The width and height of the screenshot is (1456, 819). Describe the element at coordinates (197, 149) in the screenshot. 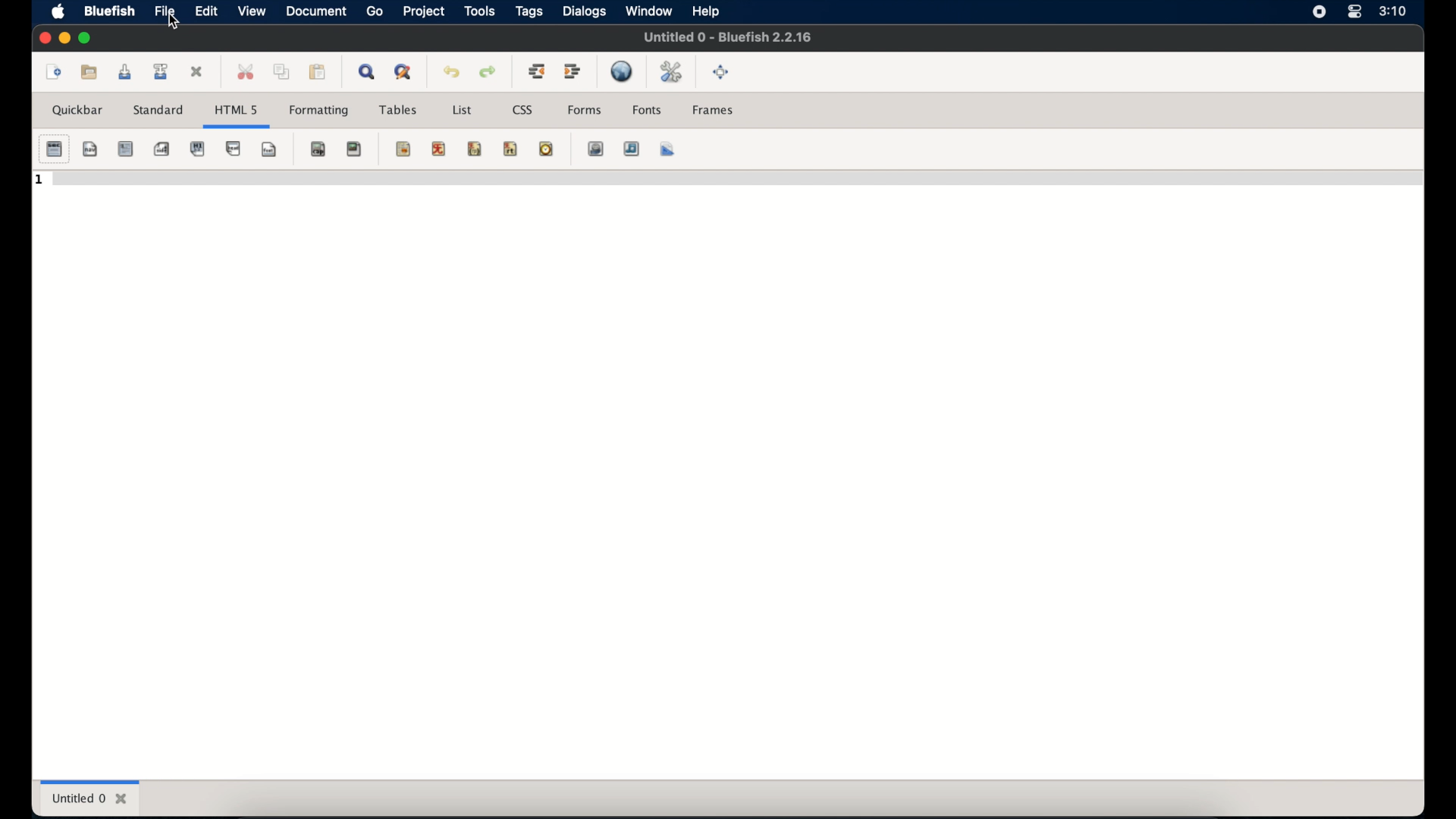

I see `h group` at that location.